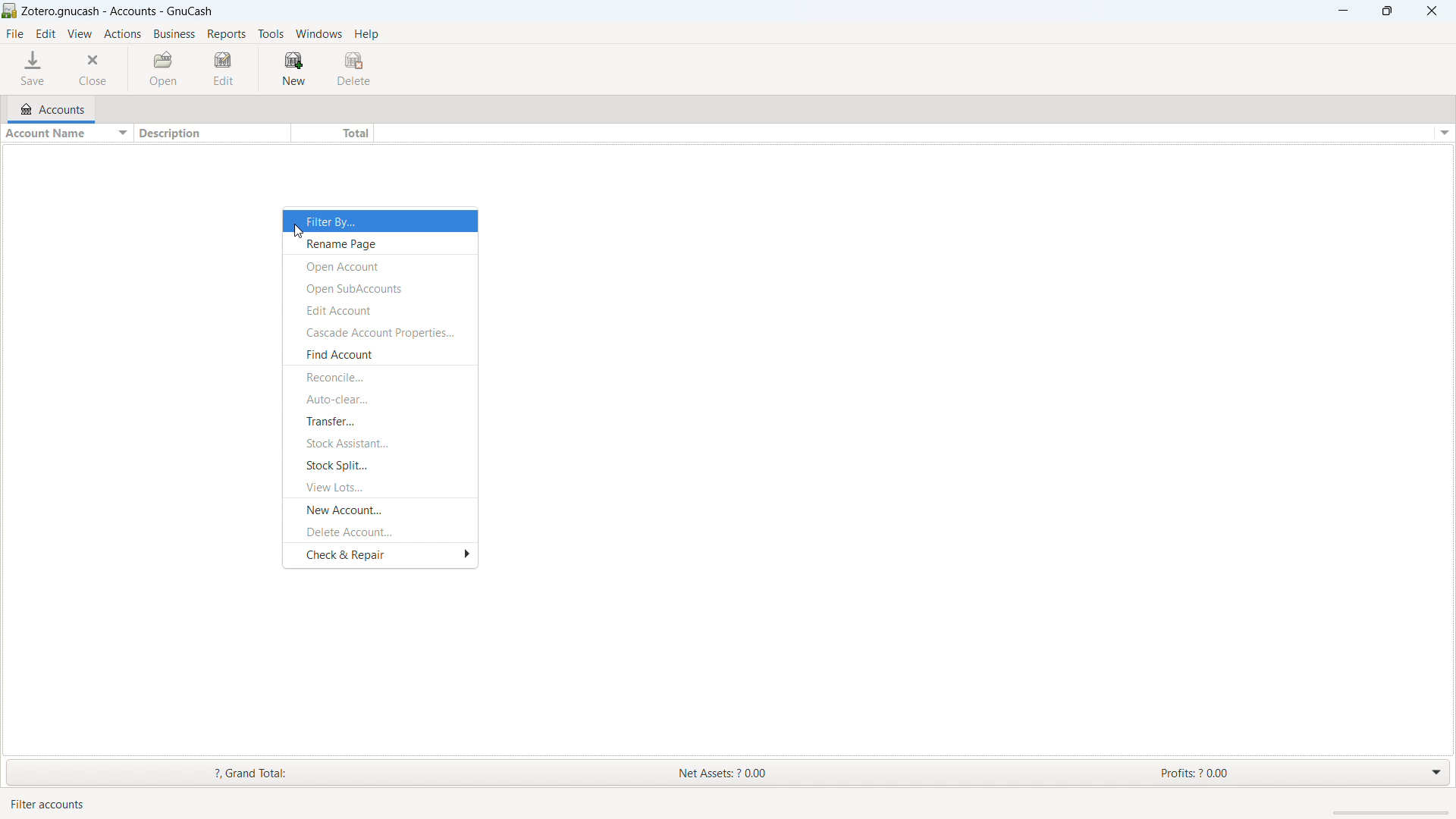 This screenshot has width=1456, height=819. I want to click on help, so click(368, 33).